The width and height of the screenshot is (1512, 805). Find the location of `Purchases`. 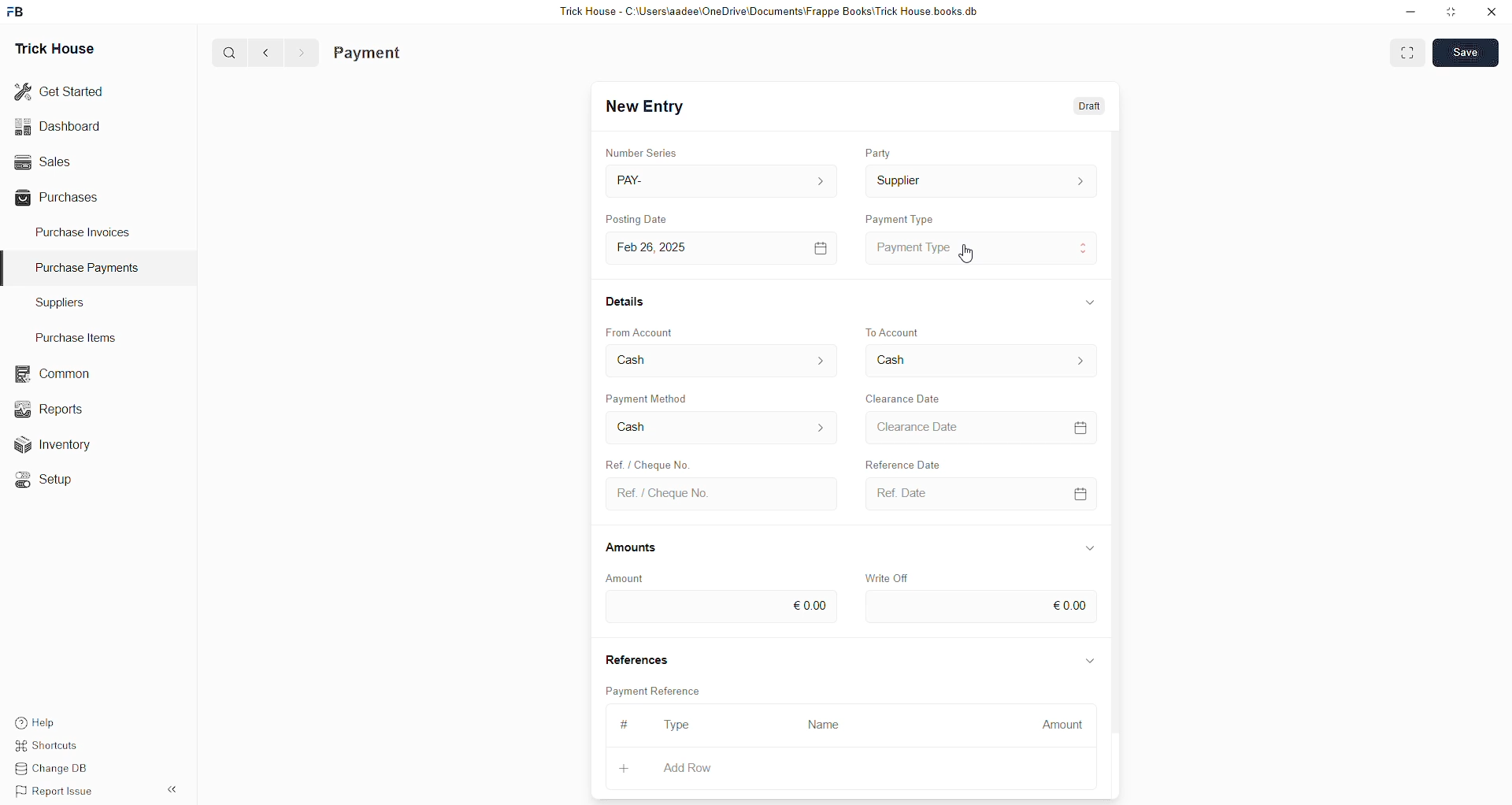

Purchases is located at coordinates (60, 199).